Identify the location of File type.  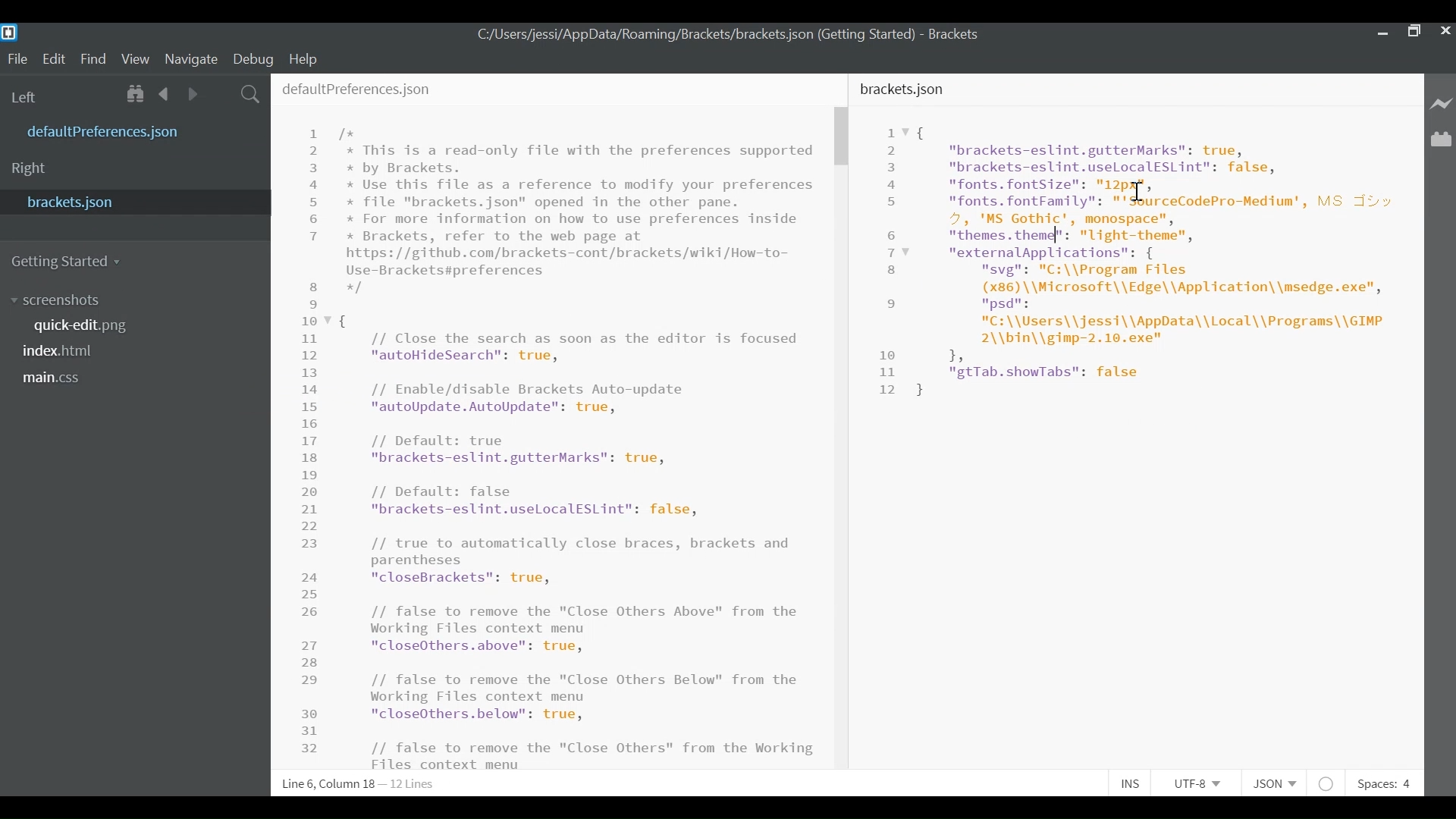
(1272, 784).